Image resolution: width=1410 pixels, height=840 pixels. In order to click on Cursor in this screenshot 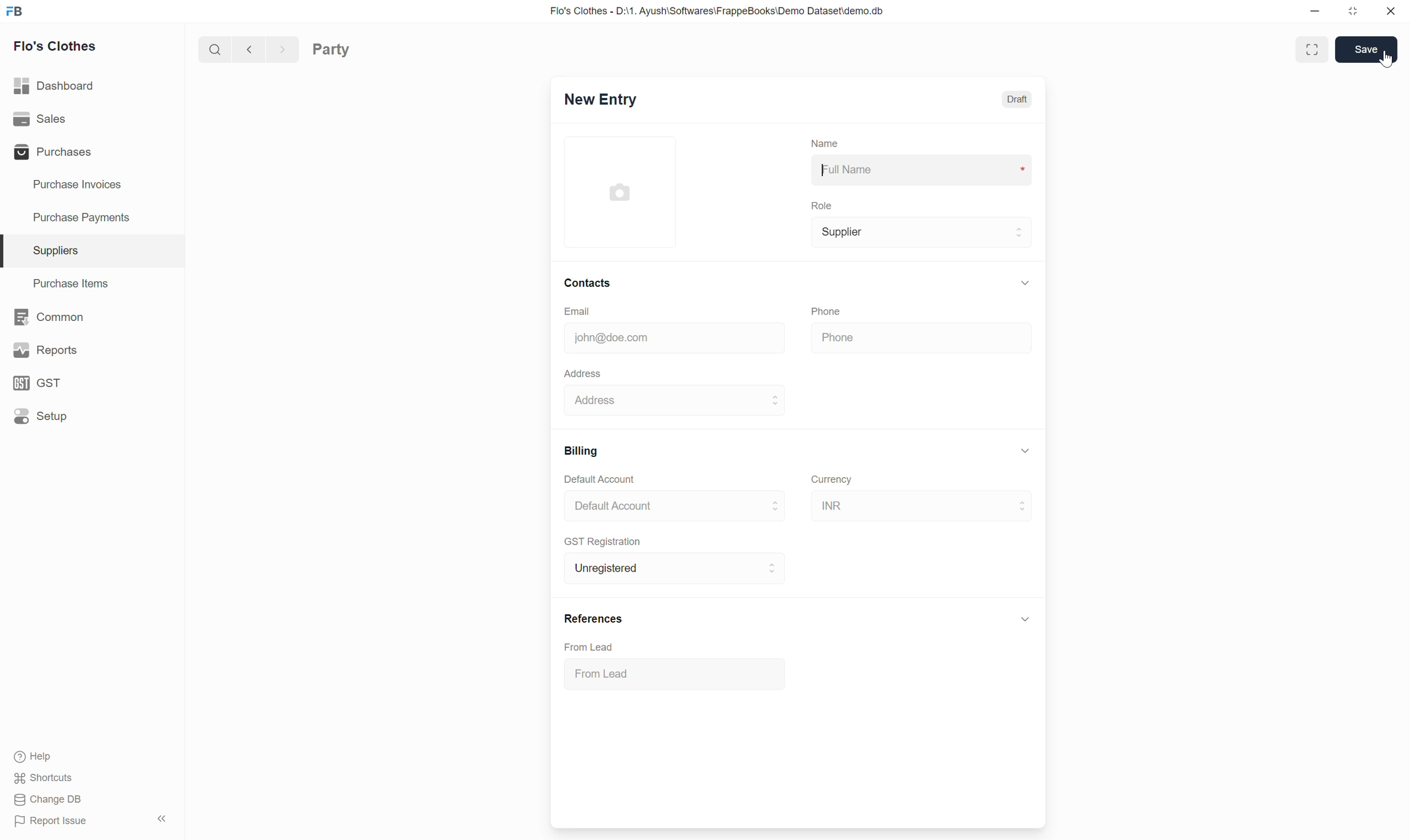, I will do `click(1386, 59)`.